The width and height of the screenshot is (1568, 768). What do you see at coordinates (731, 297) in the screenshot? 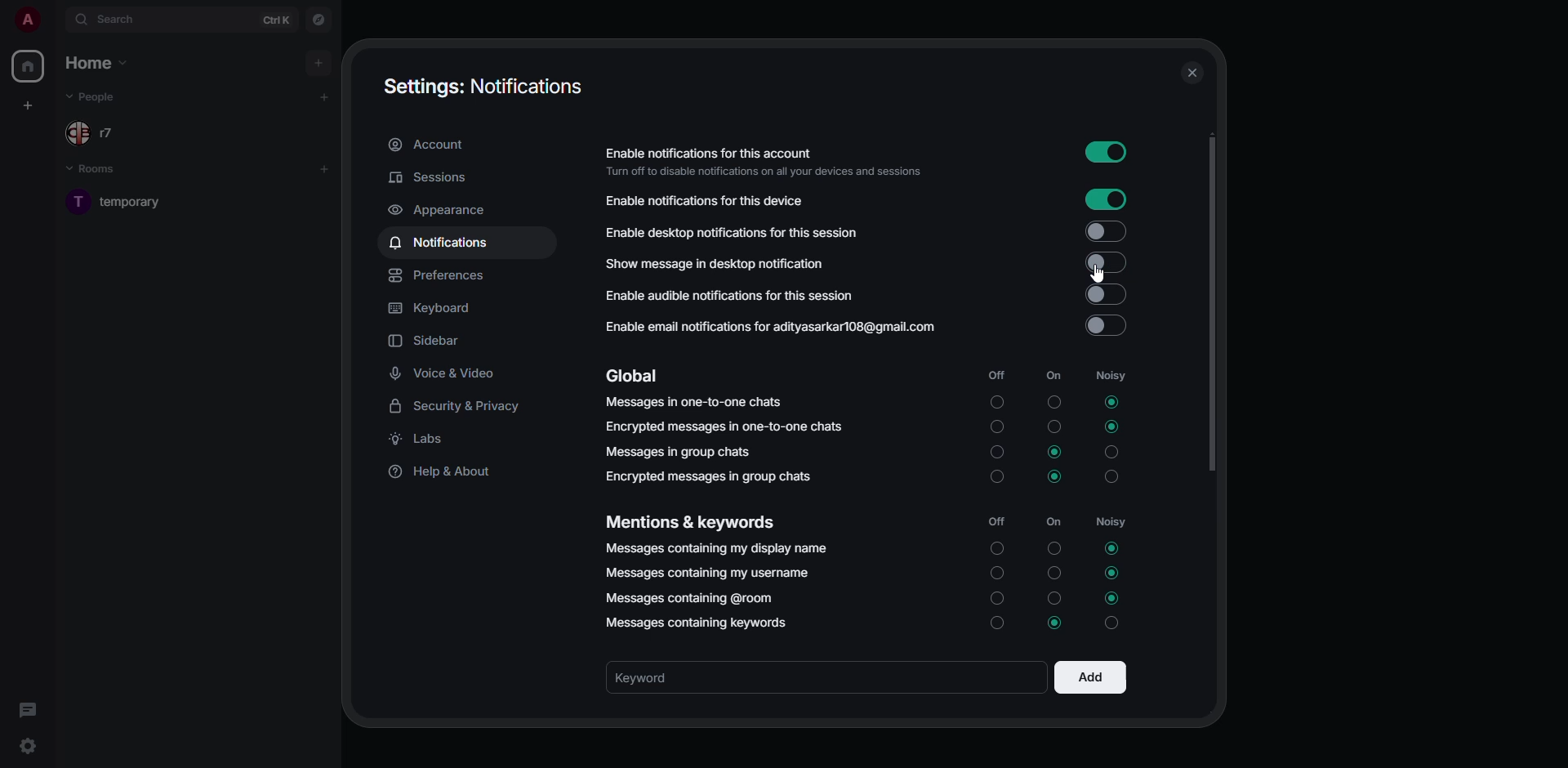
I see `enable audible notifications` at bounding box center [731, 297].